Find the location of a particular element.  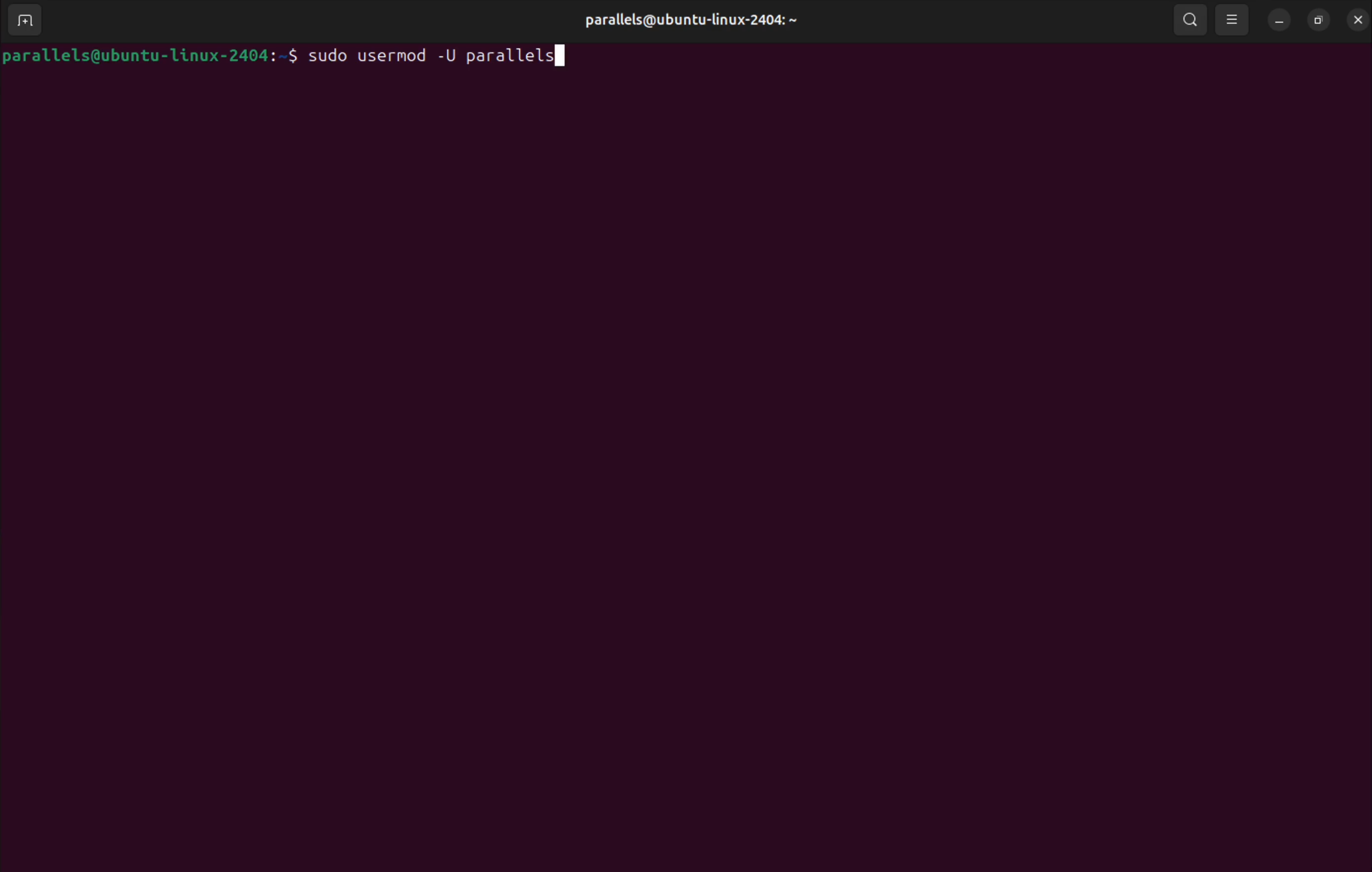

search  is located at coordinates (1190, 19).